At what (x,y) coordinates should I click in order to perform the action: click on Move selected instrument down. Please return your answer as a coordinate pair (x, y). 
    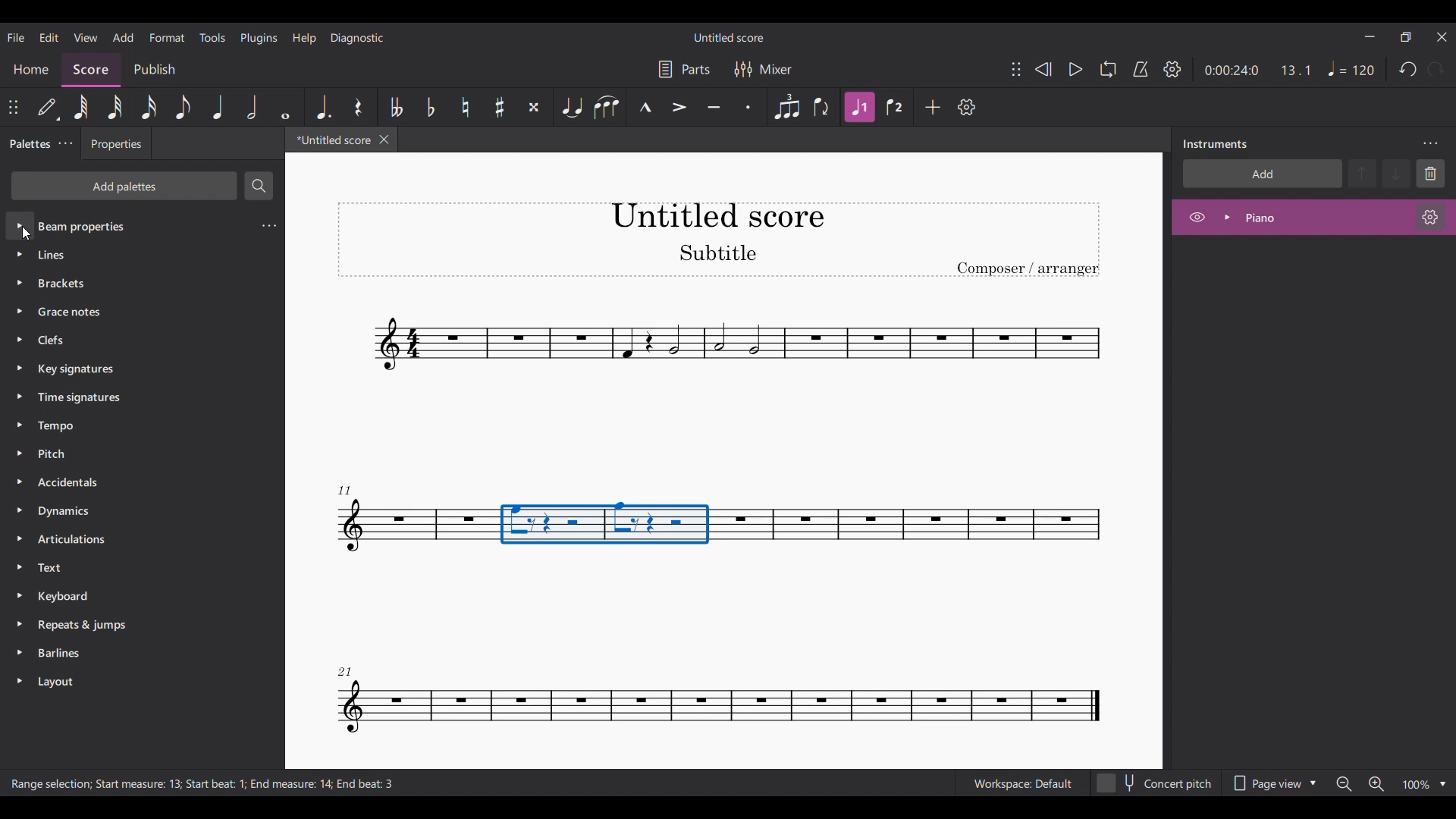
    Looking at the image, I should click on (1396, 173).